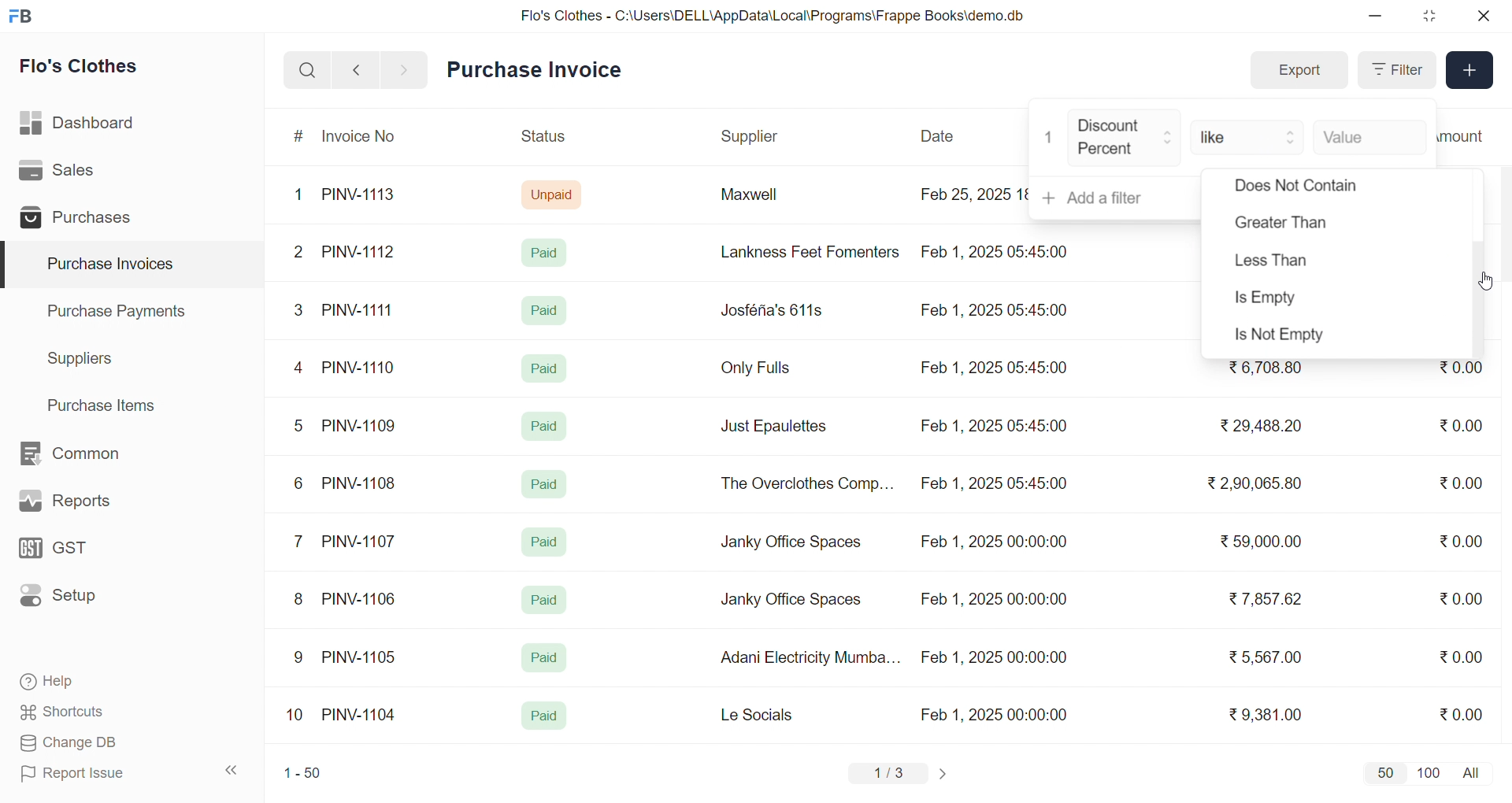 The image size is (1512, 803). What do you see at coordinates (791, 601) in the screenshot?
I see `Janky Office Spaces` at bounding box center [791, 601].